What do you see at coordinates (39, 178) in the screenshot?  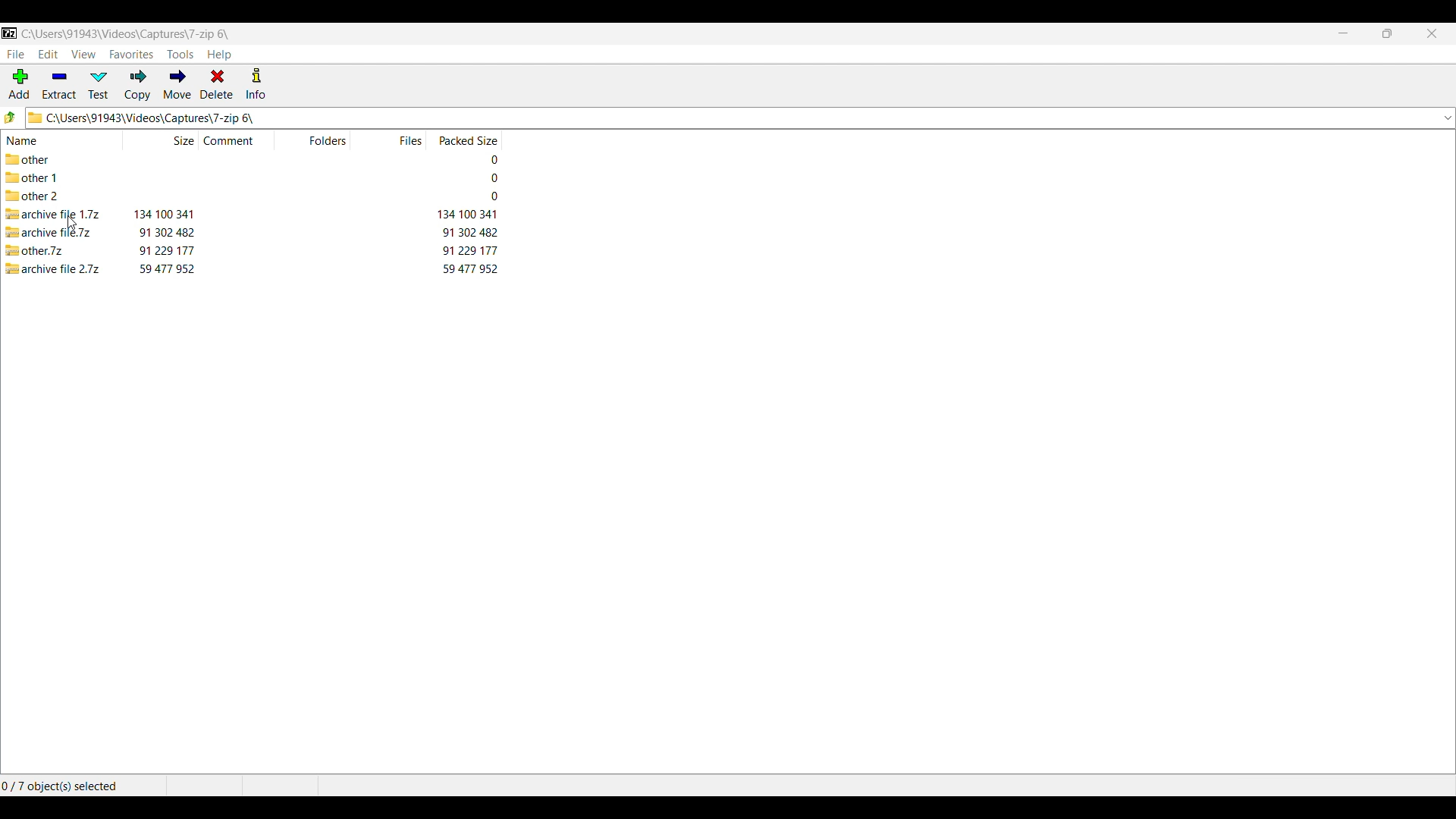 I see `other 1 ` at bounding box center [39, 178].